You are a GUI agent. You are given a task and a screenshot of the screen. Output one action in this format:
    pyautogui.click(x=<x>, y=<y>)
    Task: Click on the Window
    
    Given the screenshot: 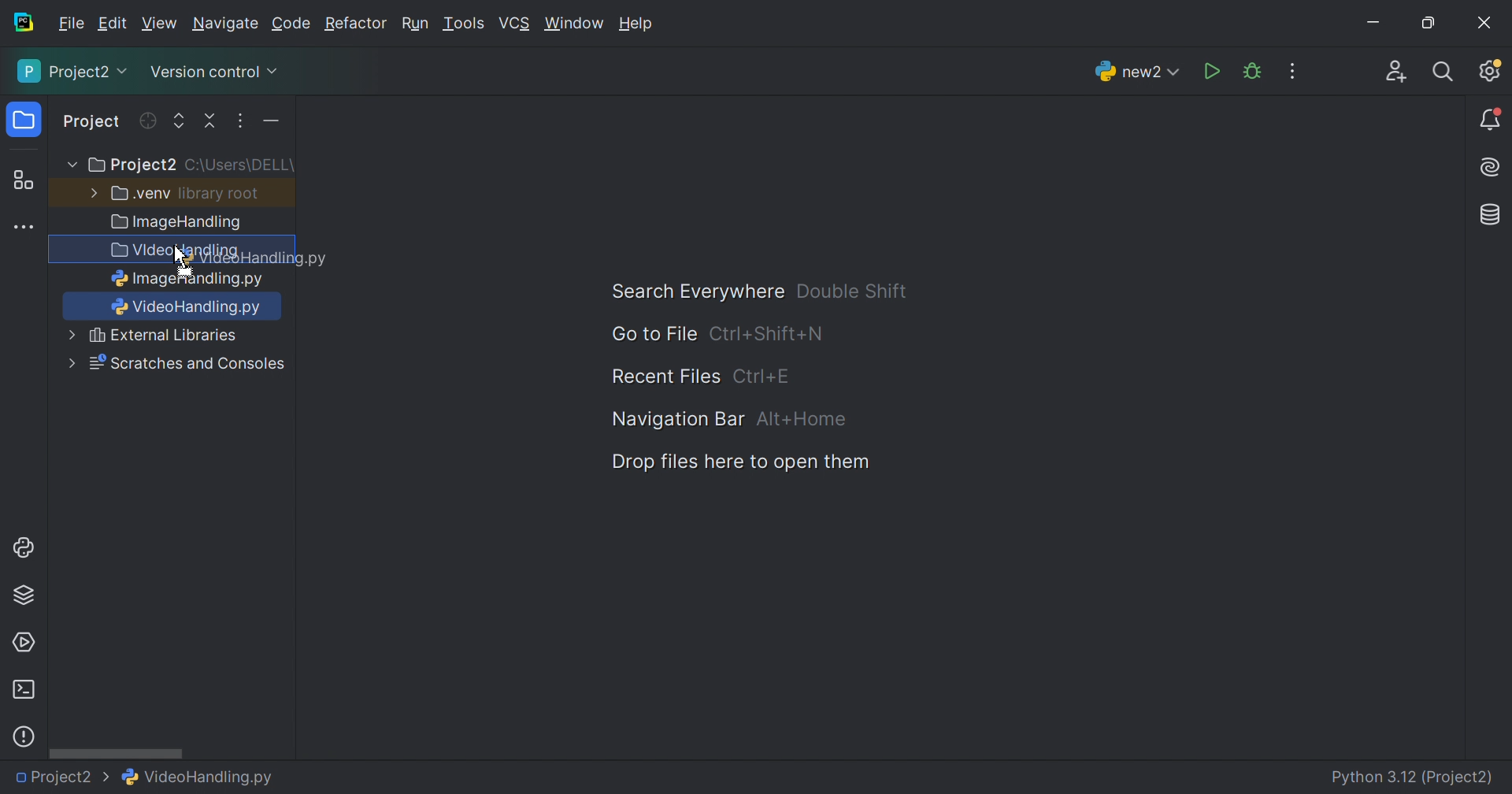 What is the action you would take?
    pyautogui.click(x=575, y=25)
    